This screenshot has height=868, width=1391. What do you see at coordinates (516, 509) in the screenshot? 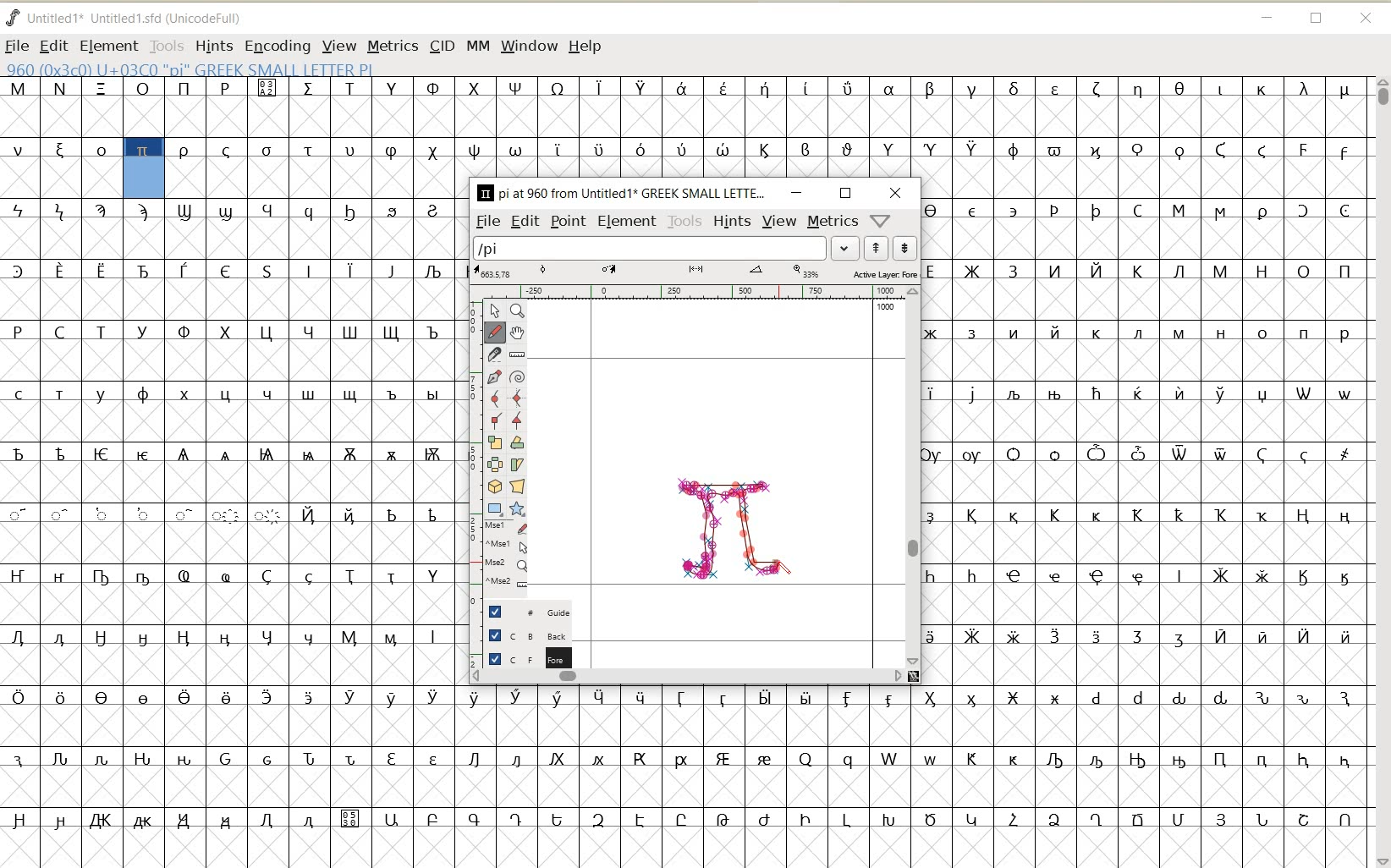
I see `polygon or star` at bounding box center [516, 509].